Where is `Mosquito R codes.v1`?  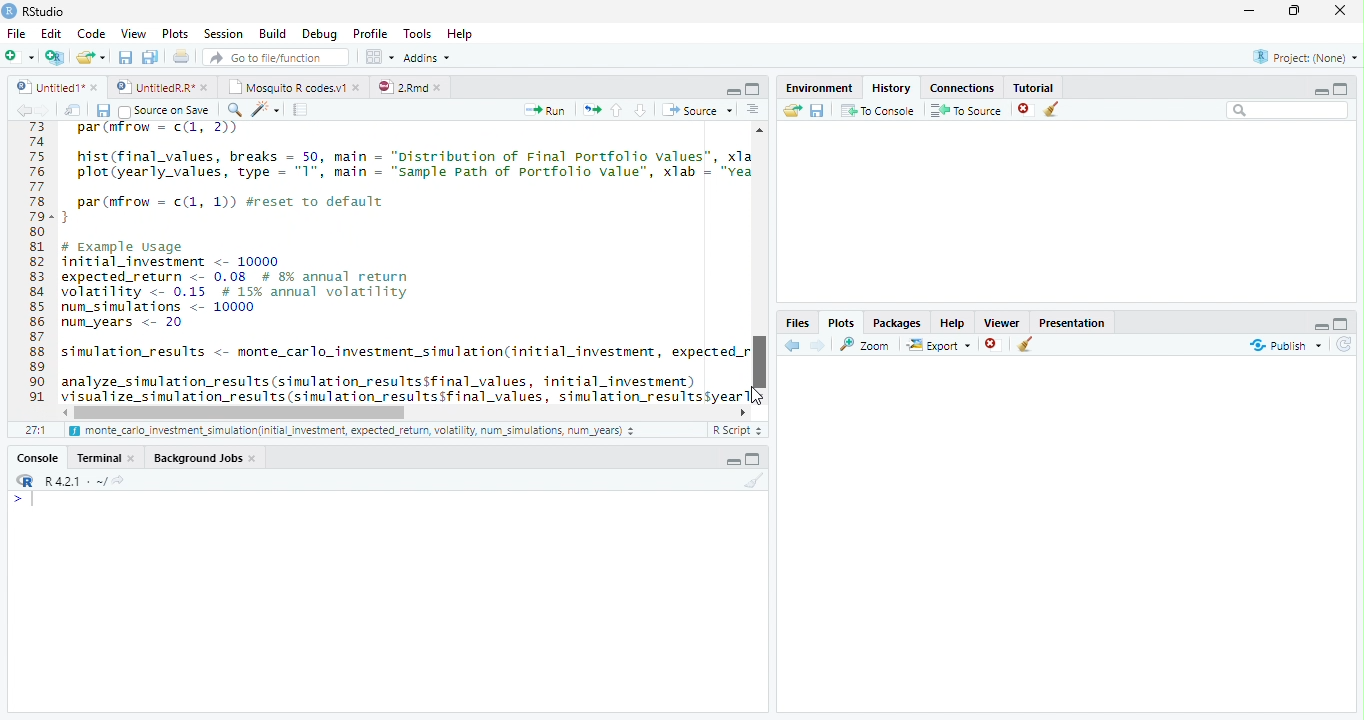
Mosquito R codes.v1 is located at coordinates (292, 86).